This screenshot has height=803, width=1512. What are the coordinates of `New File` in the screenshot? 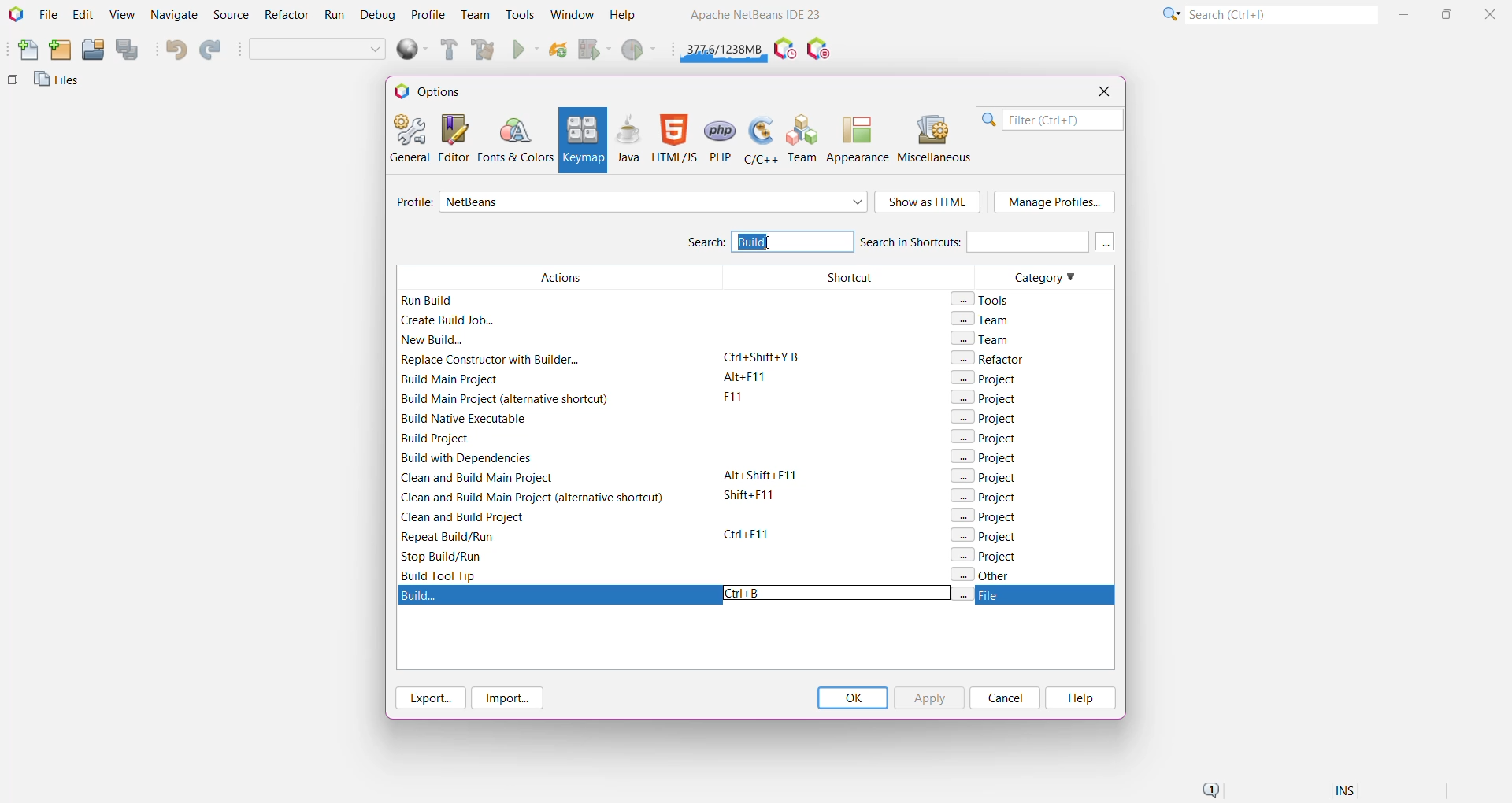 It's located at (24, 51).